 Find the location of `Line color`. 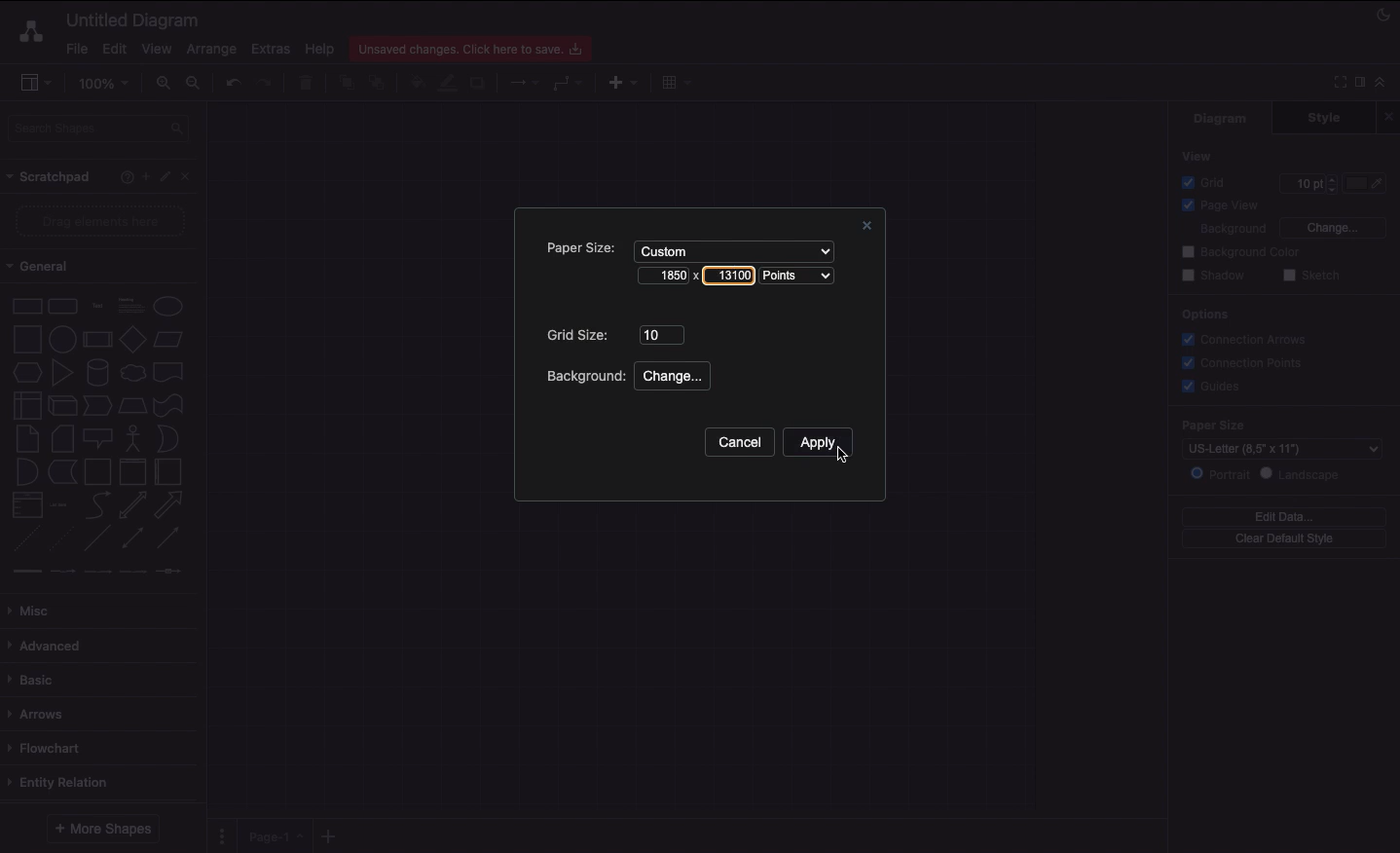

Line color is located at coordinates (447, 81).